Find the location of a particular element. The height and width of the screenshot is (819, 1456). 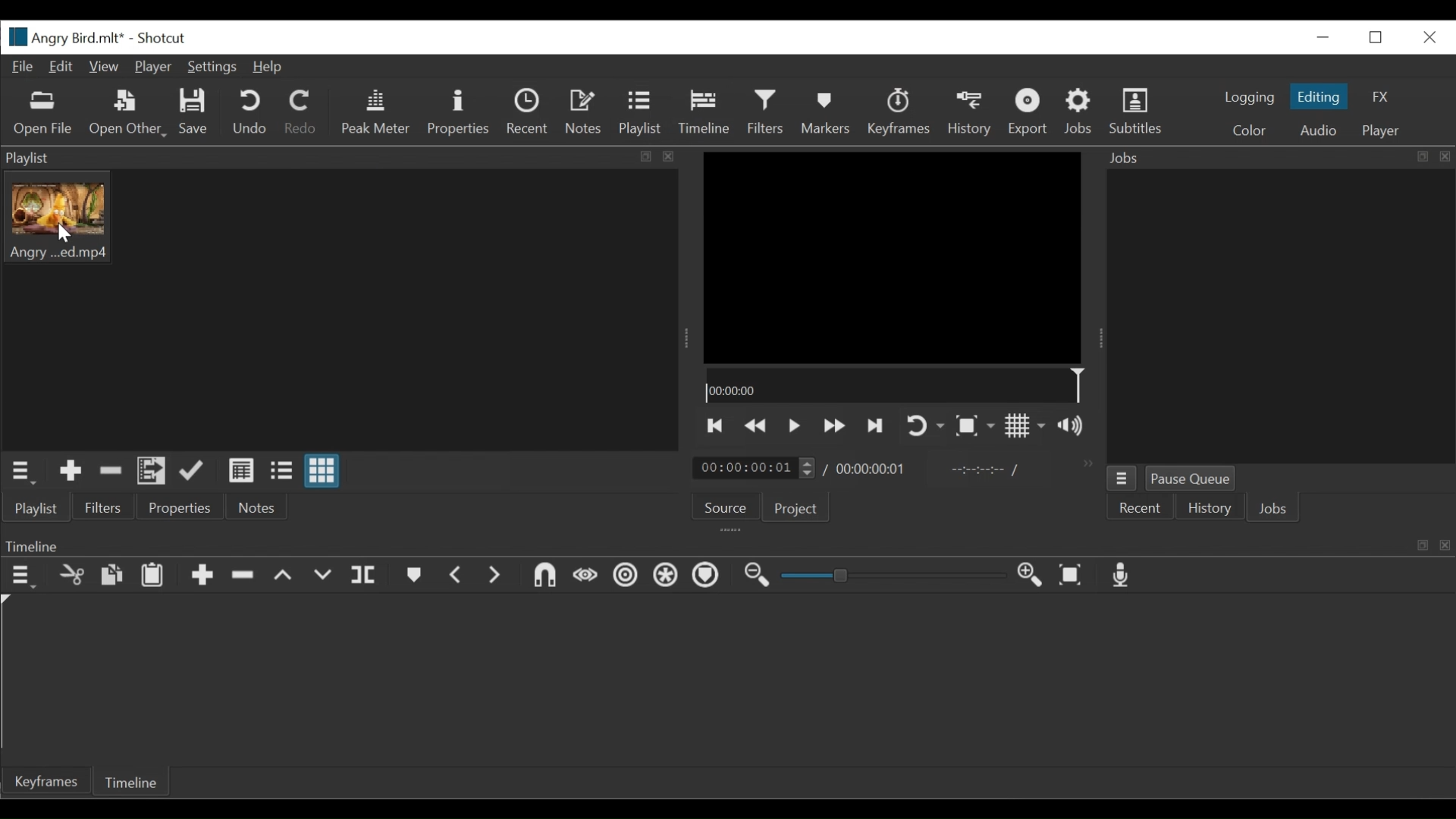

Split playhead is located at coordinates (365, 576).